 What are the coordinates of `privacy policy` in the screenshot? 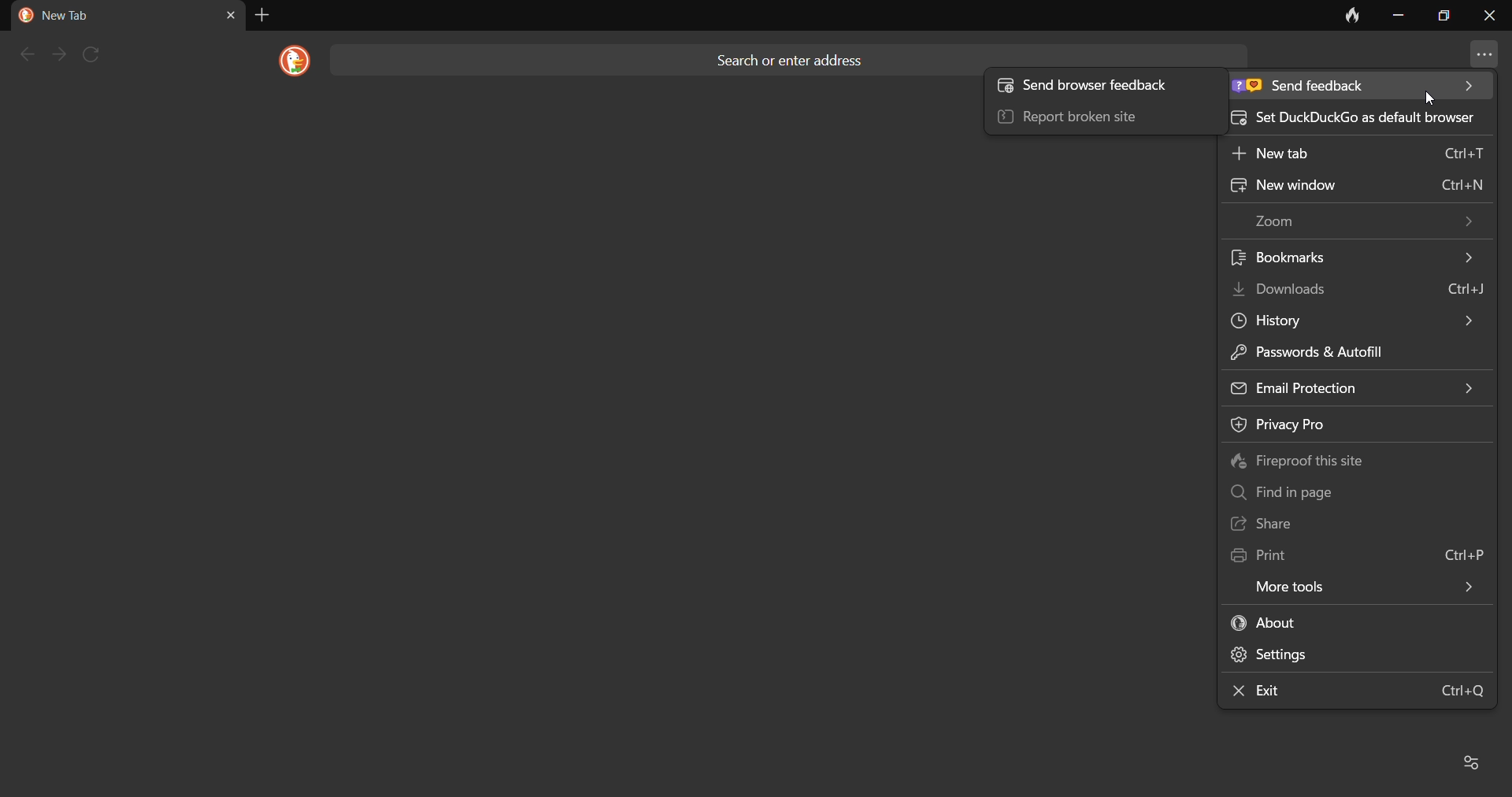 It's located at (1356, 424).